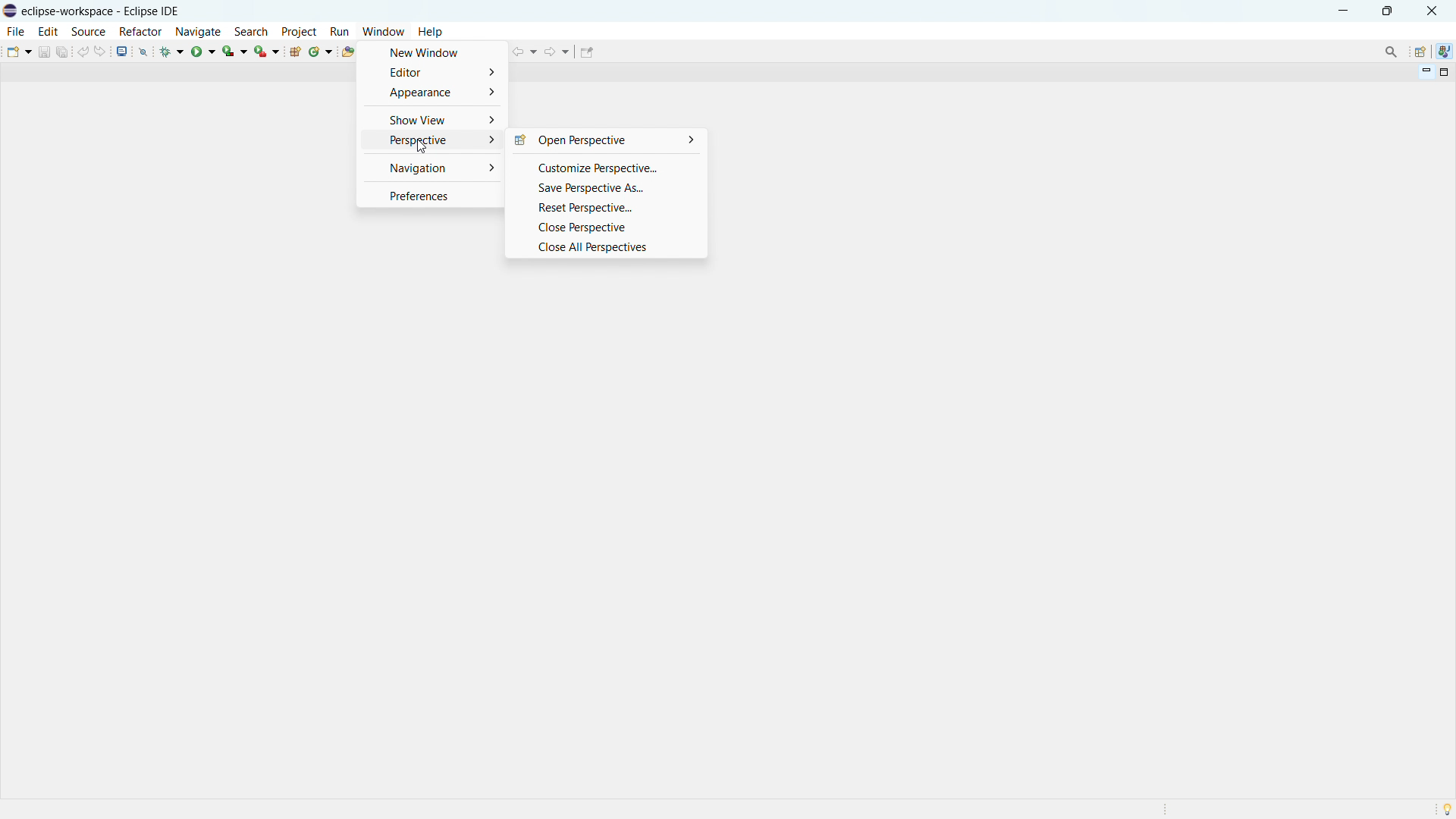 This screenshot has width=1456, height=819. I want to click on refactor, so click(141, 33).